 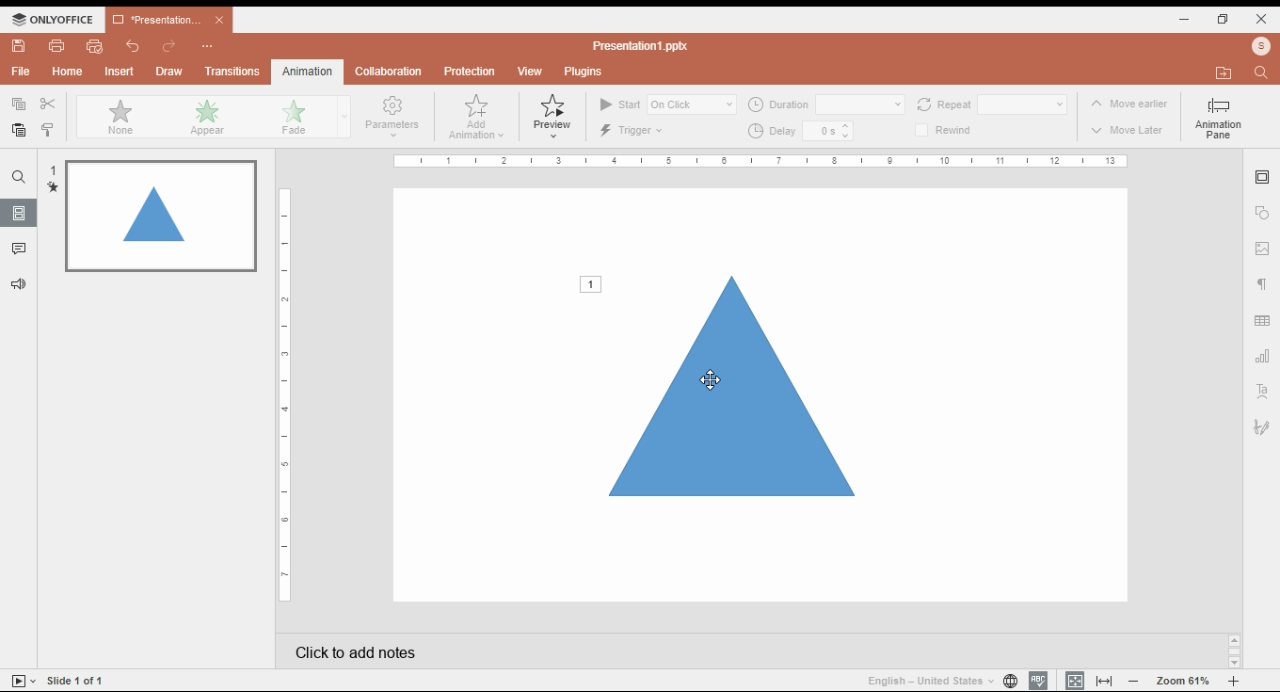 I want to click on image settings, so click(x=1264, y=248).